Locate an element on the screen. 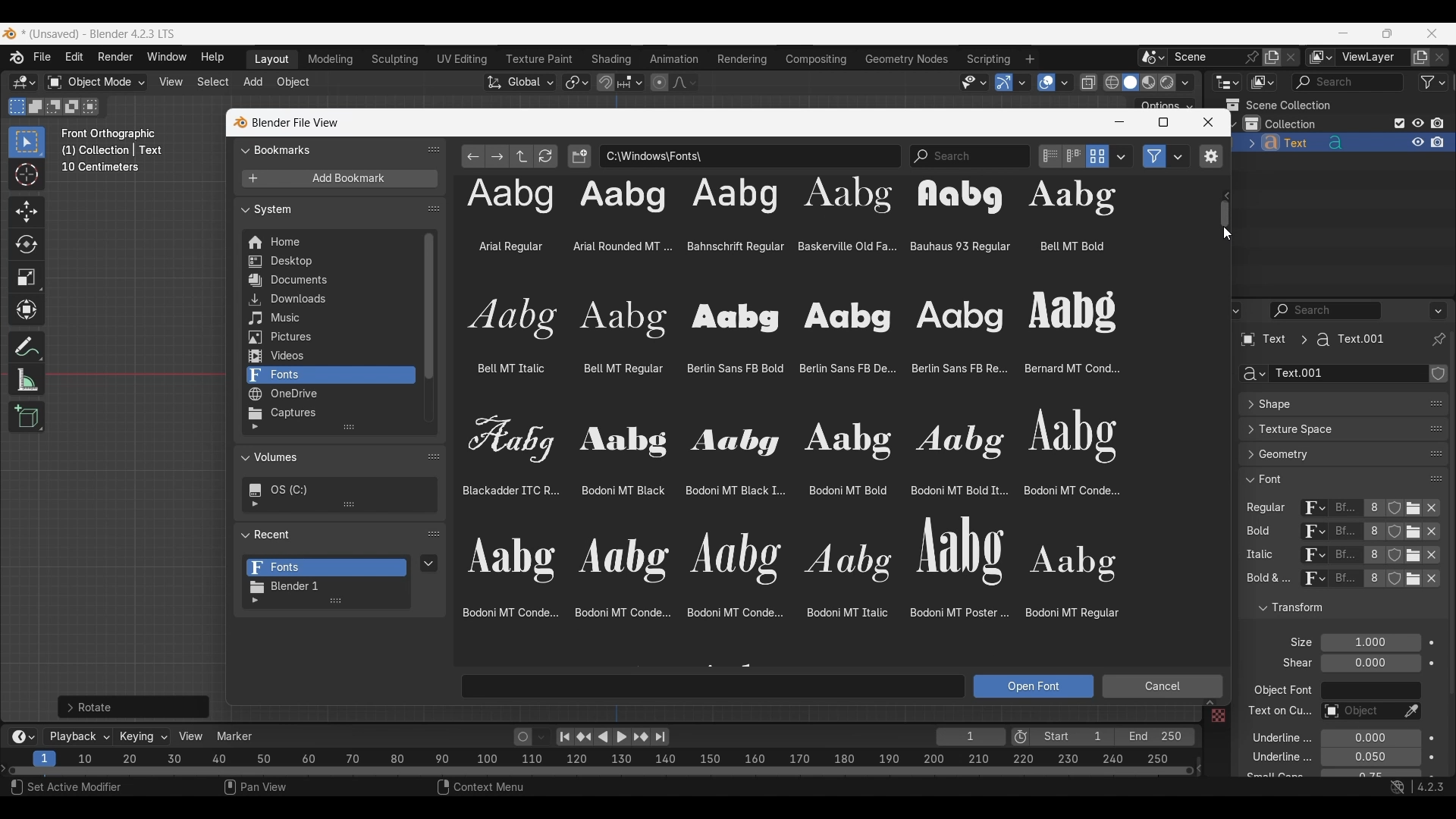  Add workspace is located at coordinates (1029, 59).